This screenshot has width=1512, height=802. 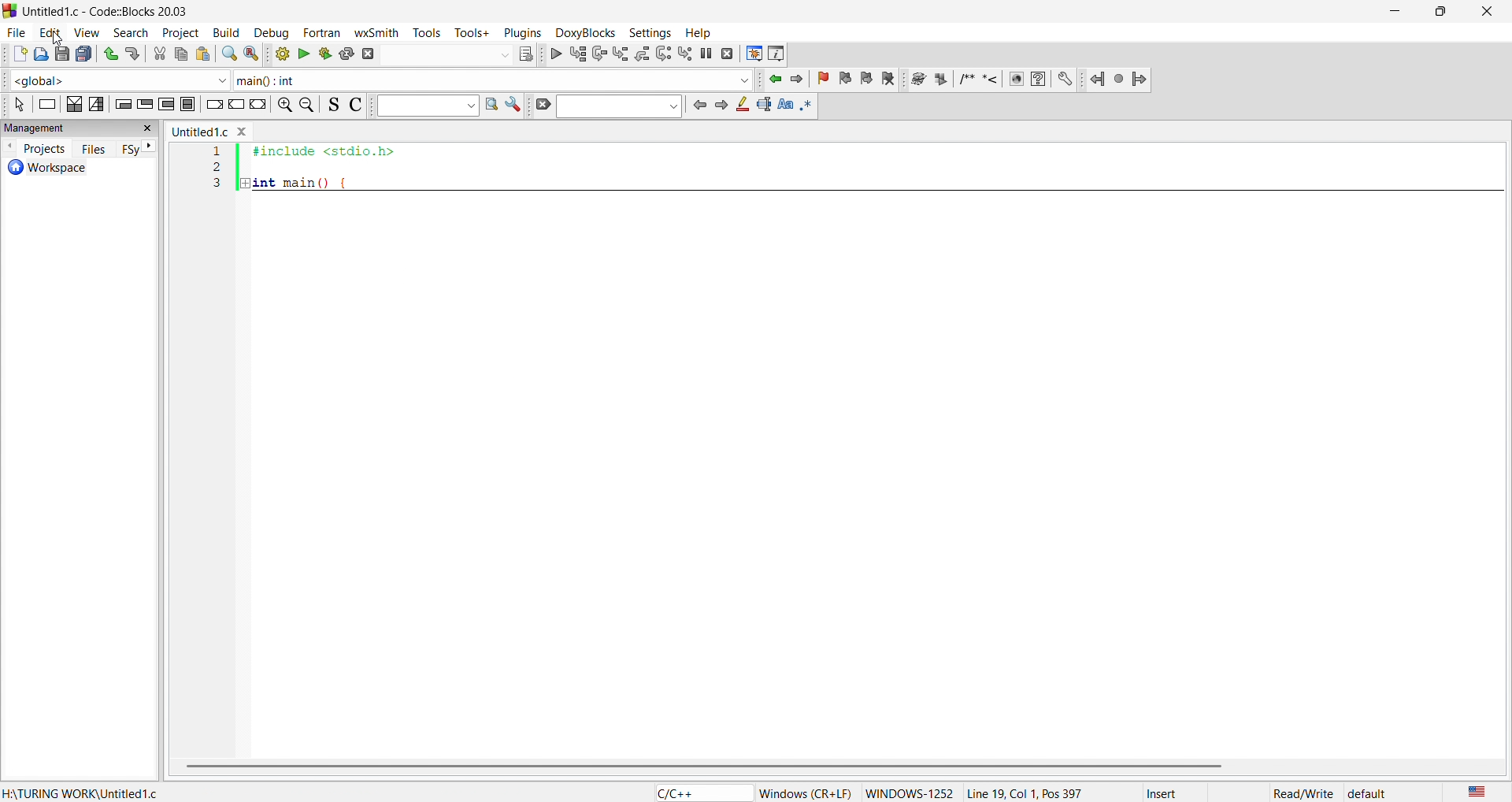 I want to click on run, so click(x=304, y=54).